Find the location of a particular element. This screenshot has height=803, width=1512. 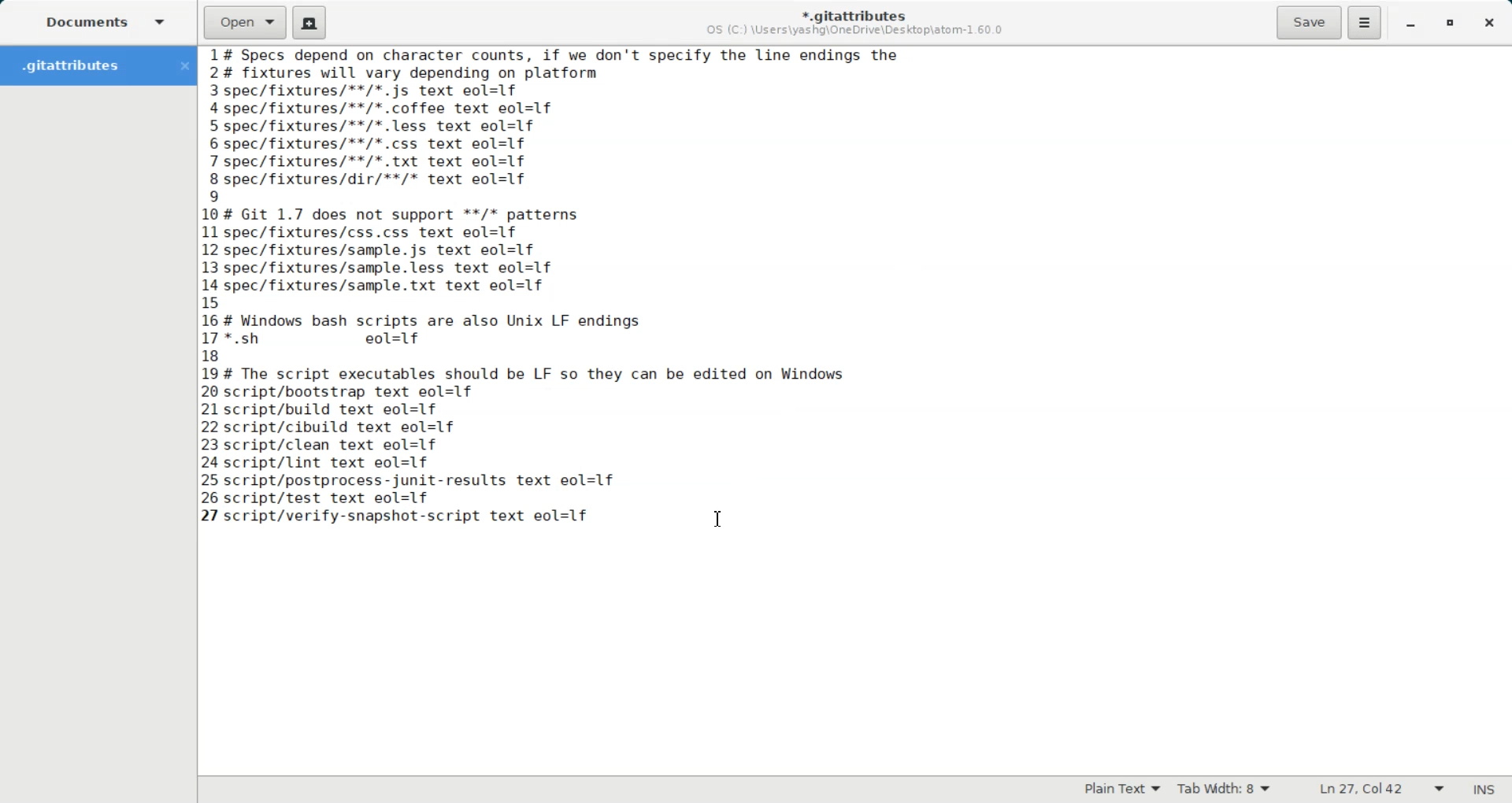

Create a new document is located at coordinates (310, 23).